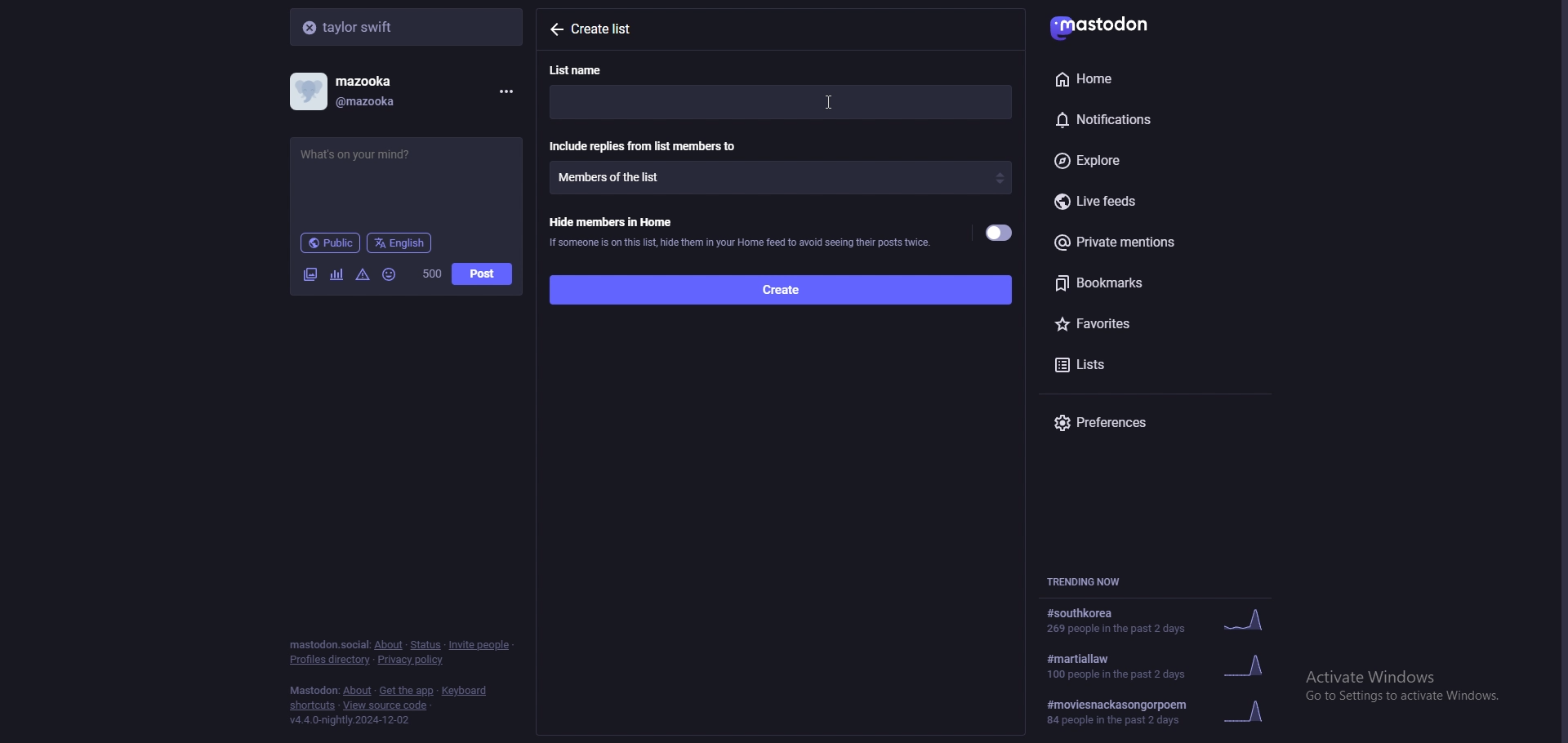 The width and height of the screenshot is (1568, 743). I want to click on input list name, so click(781, 102).